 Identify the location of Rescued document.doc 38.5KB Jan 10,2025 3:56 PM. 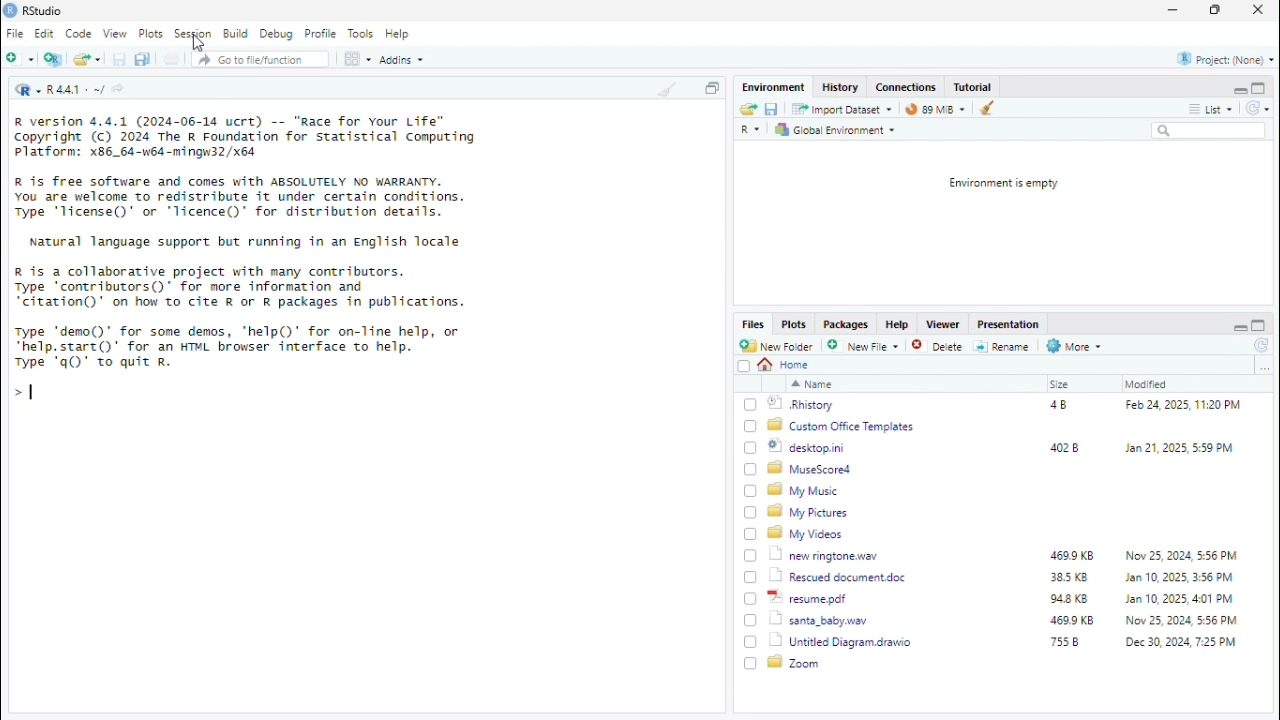
(1005, 576).